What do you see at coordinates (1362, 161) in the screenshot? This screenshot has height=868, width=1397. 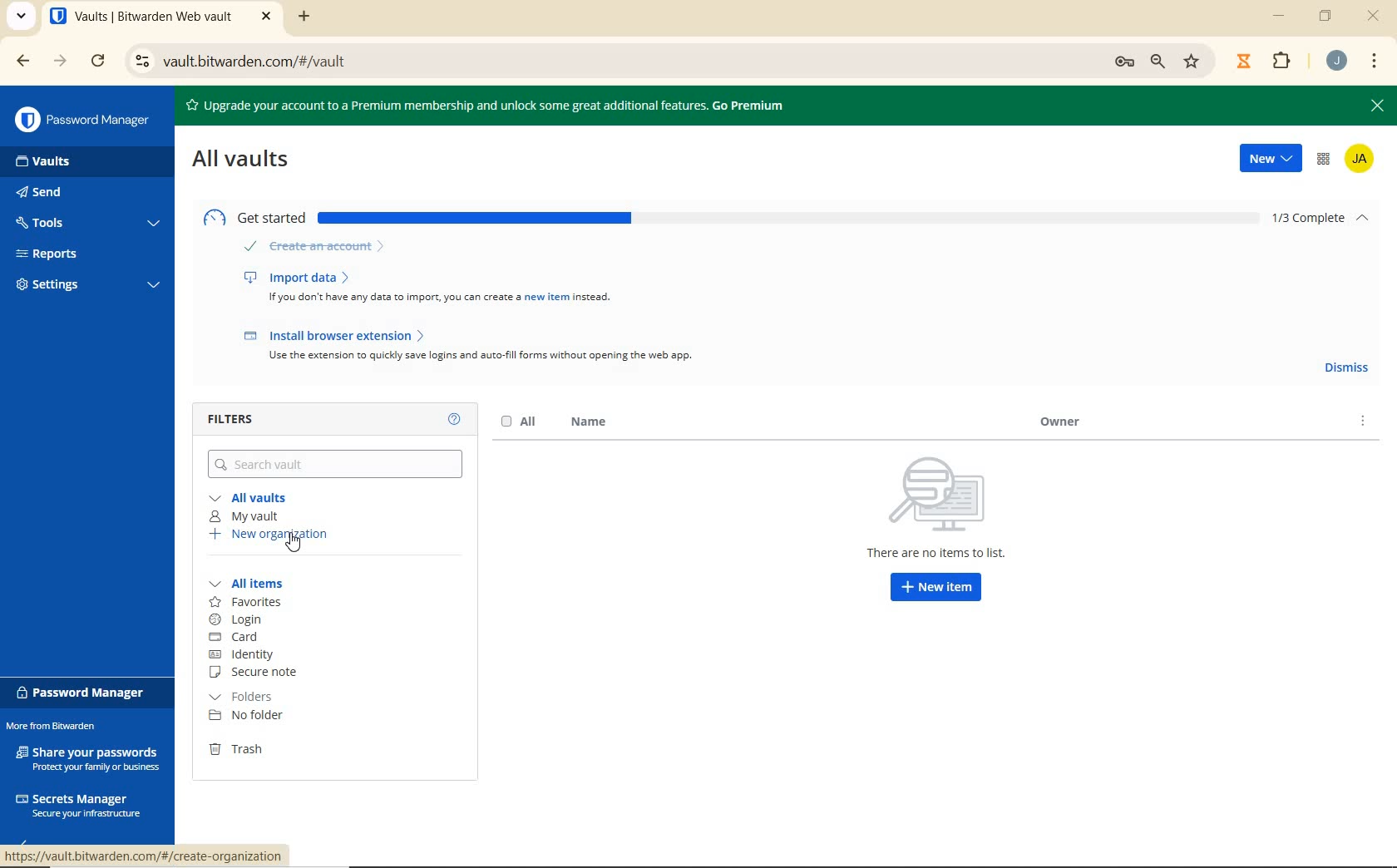 I see `account name` at bounding box center [1362, 161].